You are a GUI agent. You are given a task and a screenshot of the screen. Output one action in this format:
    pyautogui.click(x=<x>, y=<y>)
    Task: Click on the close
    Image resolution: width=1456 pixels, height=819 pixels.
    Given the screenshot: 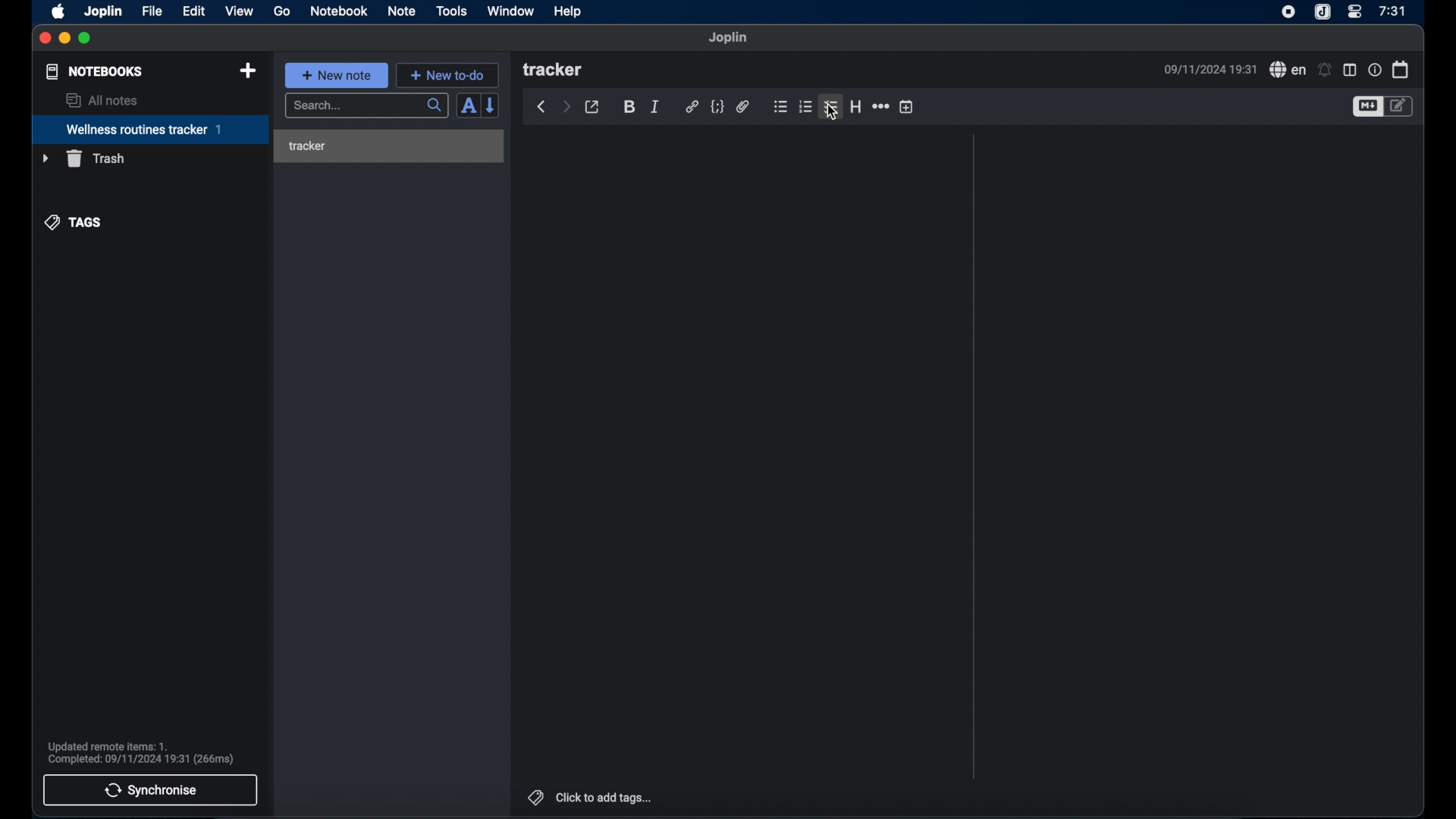 What is the action you would take?
    pyautogui.click(x=45, y=39)
    